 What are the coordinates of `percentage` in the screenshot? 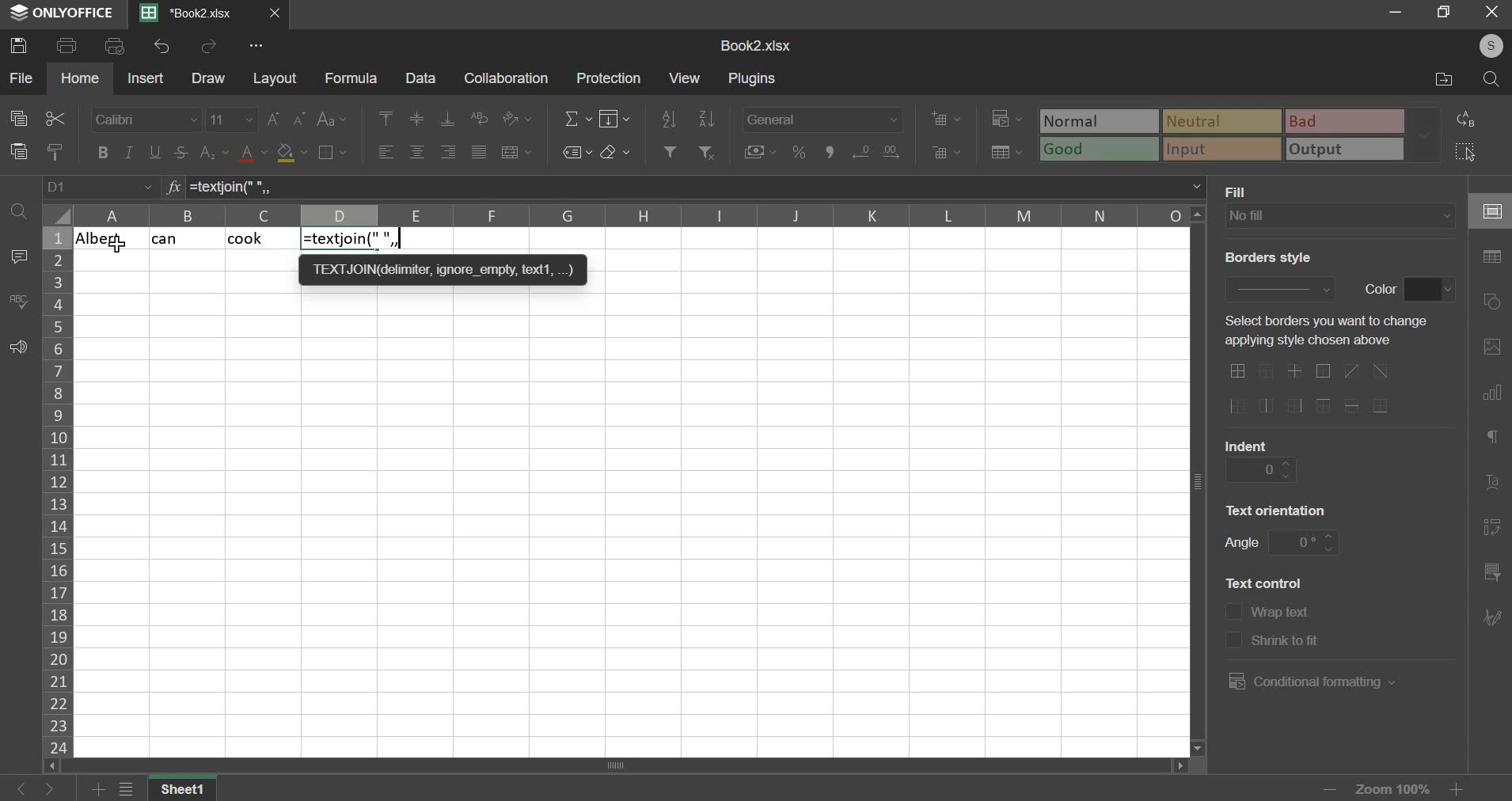 It's located at (798, 152).